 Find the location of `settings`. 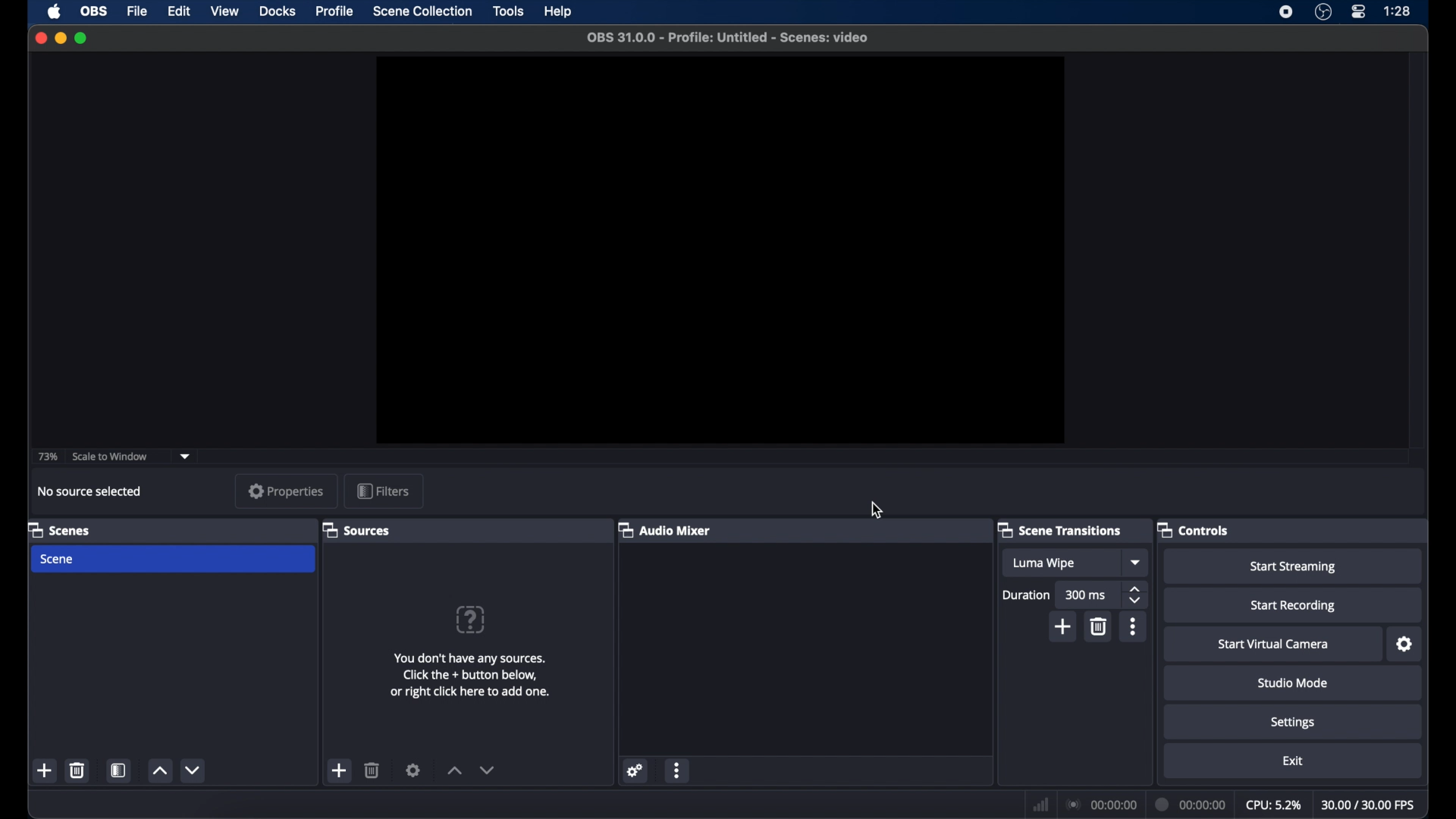

settings is located at coordinates (633, 771).